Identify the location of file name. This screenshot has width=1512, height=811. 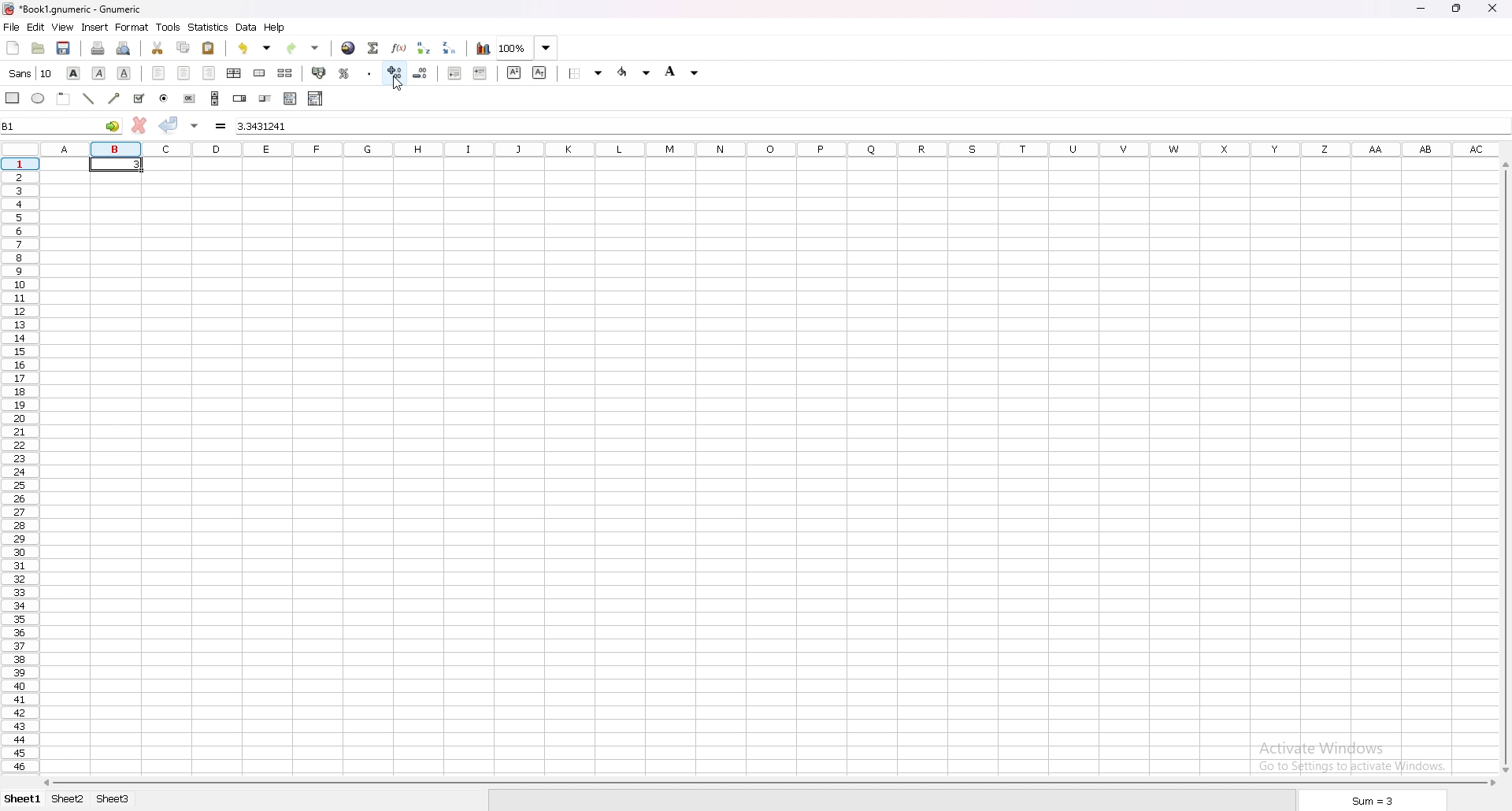
(71, 9).